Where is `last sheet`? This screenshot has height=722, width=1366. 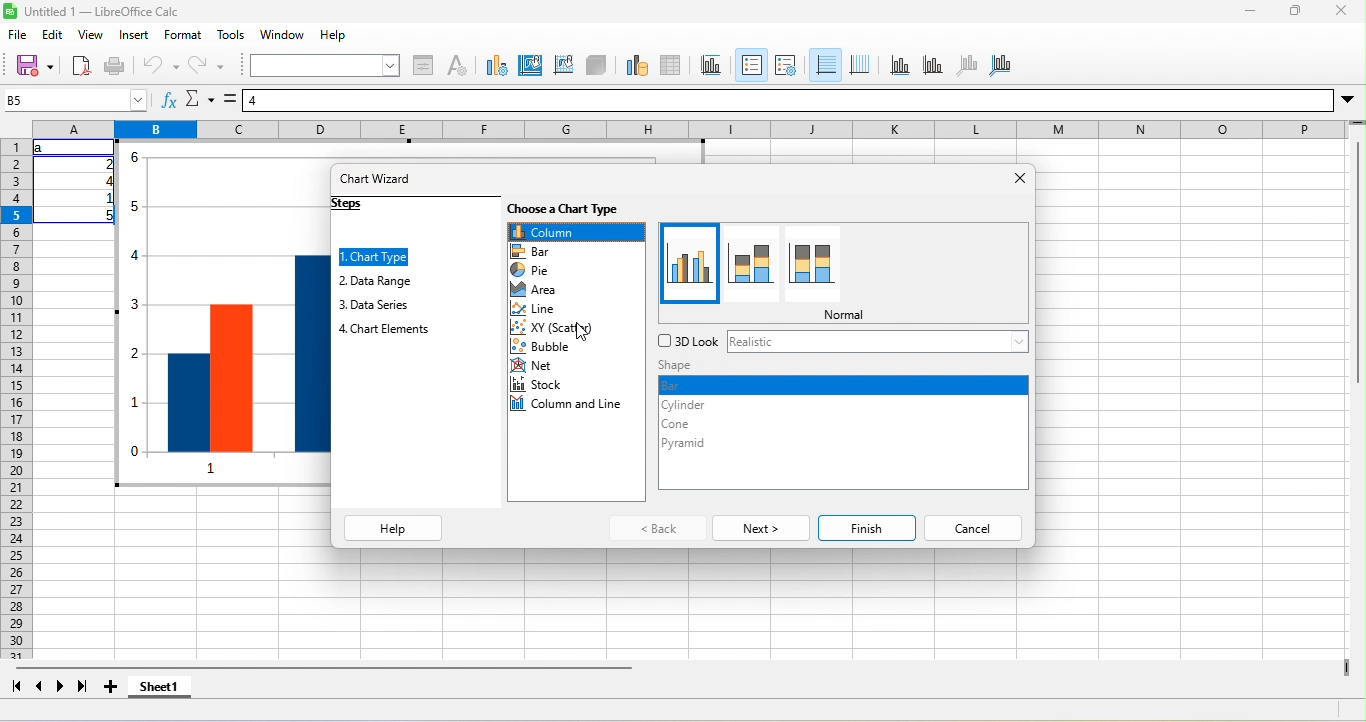
last sheet is located at coordinates (83, 686).